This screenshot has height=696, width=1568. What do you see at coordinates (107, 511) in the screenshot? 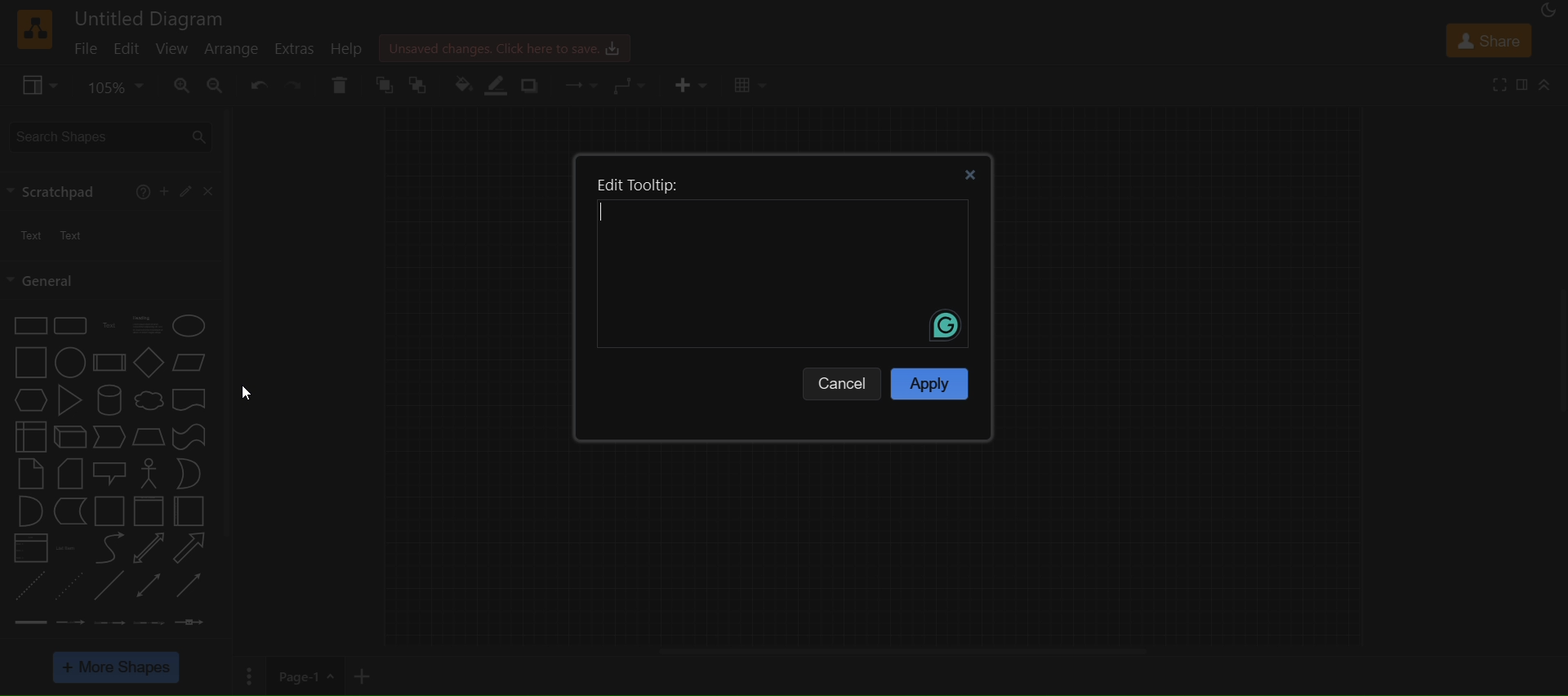
I see `container` at bounding box center [107, 511].